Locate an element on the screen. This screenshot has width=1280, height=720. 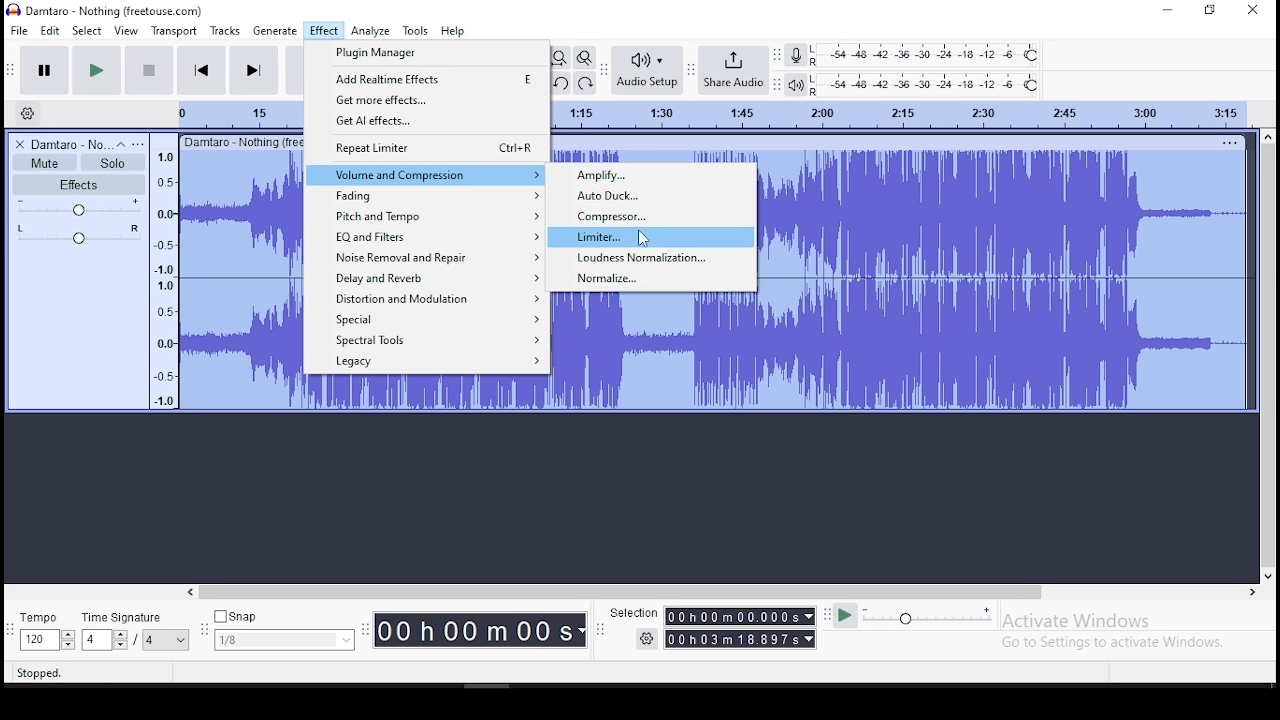
pause is located at coordinates (44, 69).